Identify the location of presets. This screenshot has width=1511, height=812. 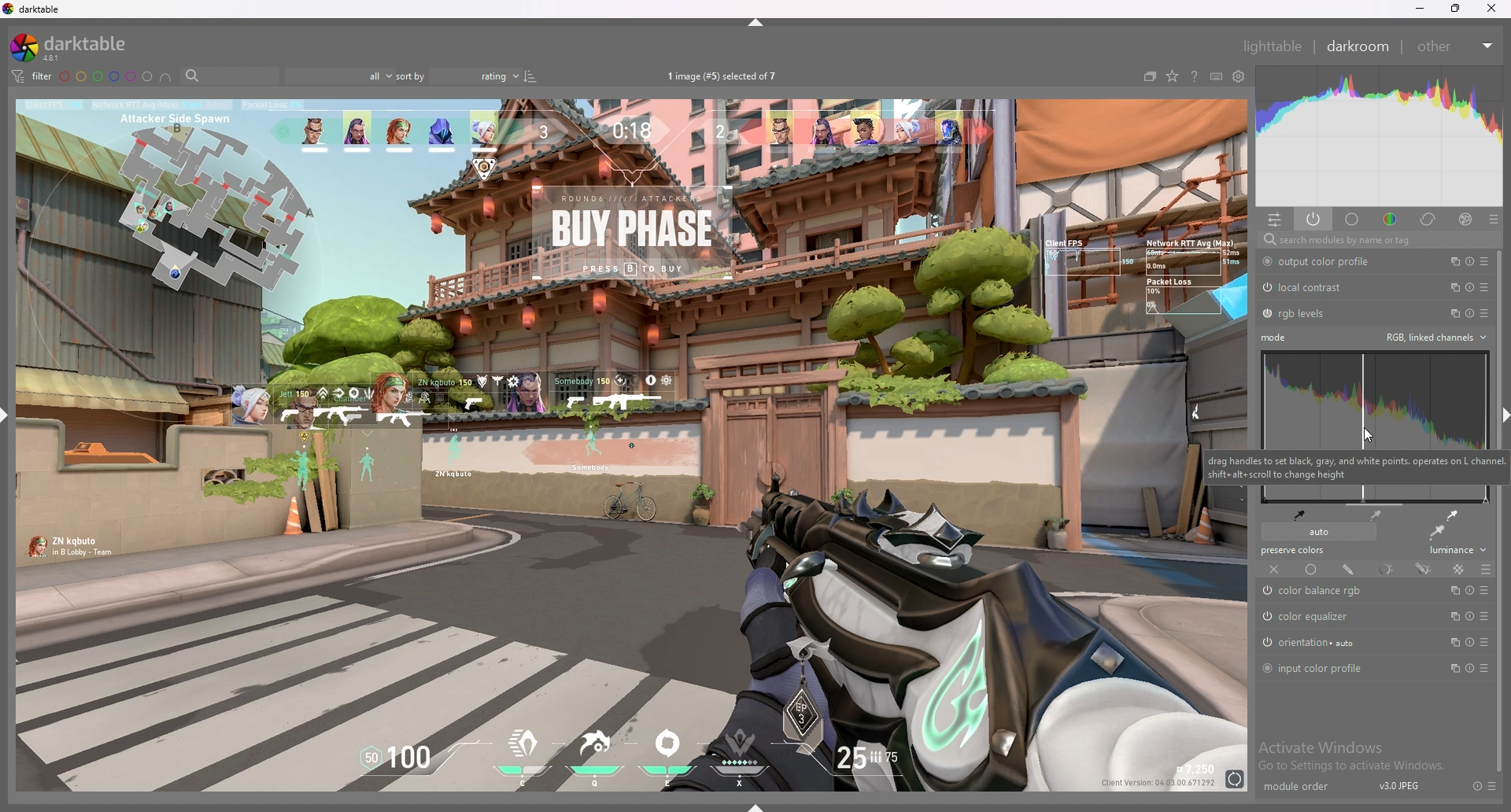
(1485, 286).